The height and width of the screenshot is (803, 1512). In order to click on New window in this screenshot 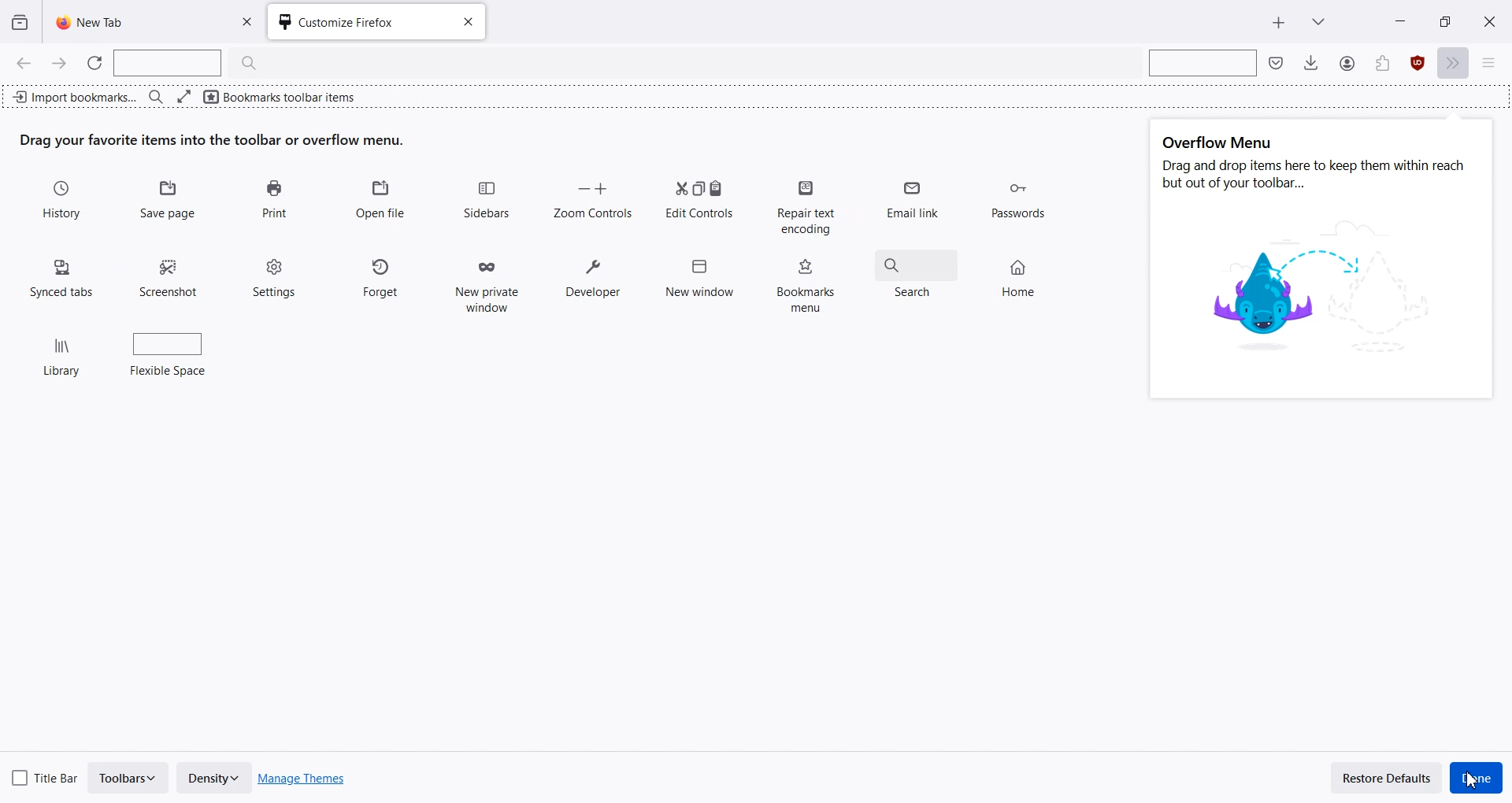, I will do `click(699, 273)`.